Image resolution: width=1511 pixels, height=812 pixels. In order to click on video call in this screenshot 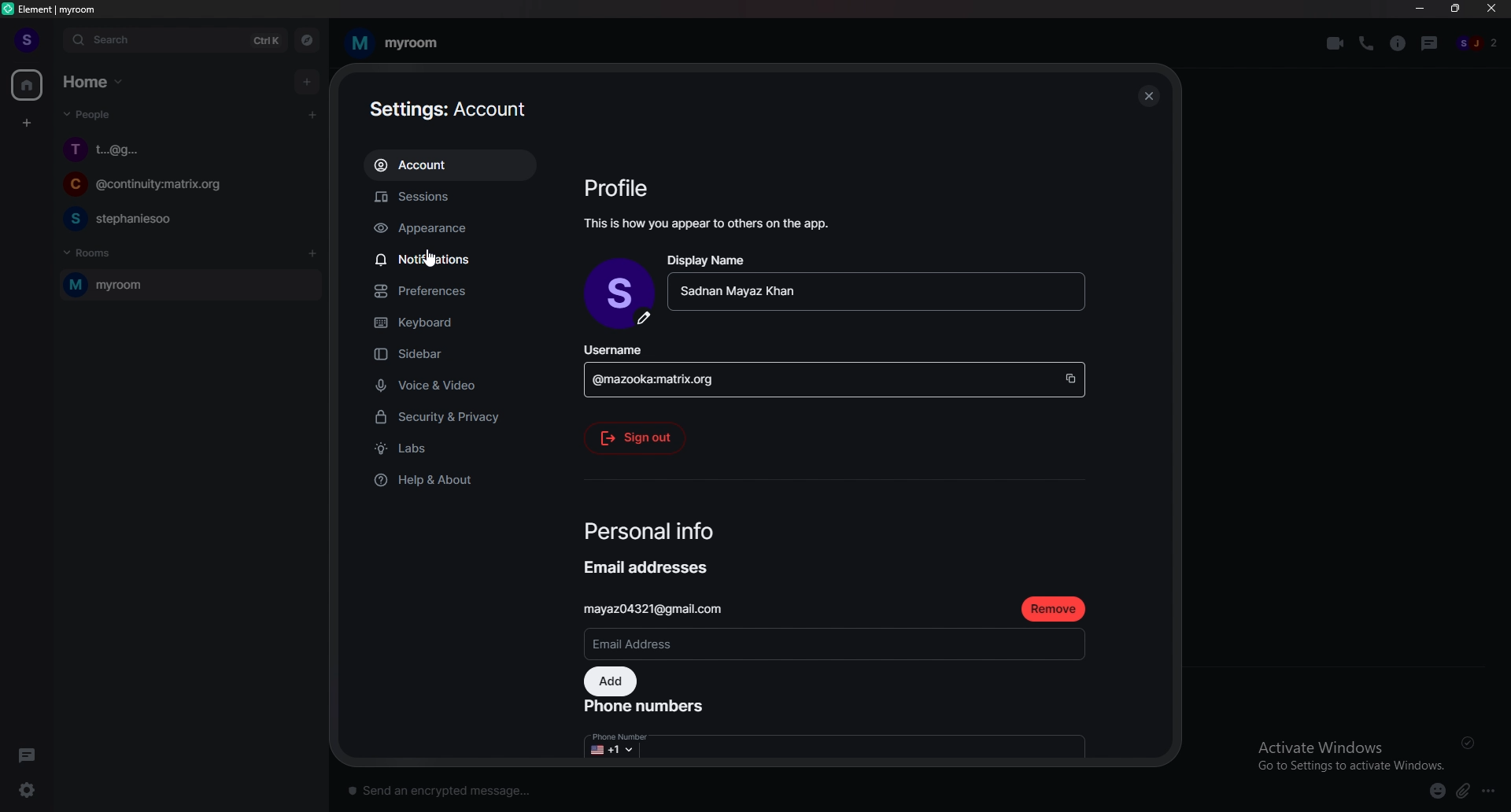, I will do `click(1334, 43)`.